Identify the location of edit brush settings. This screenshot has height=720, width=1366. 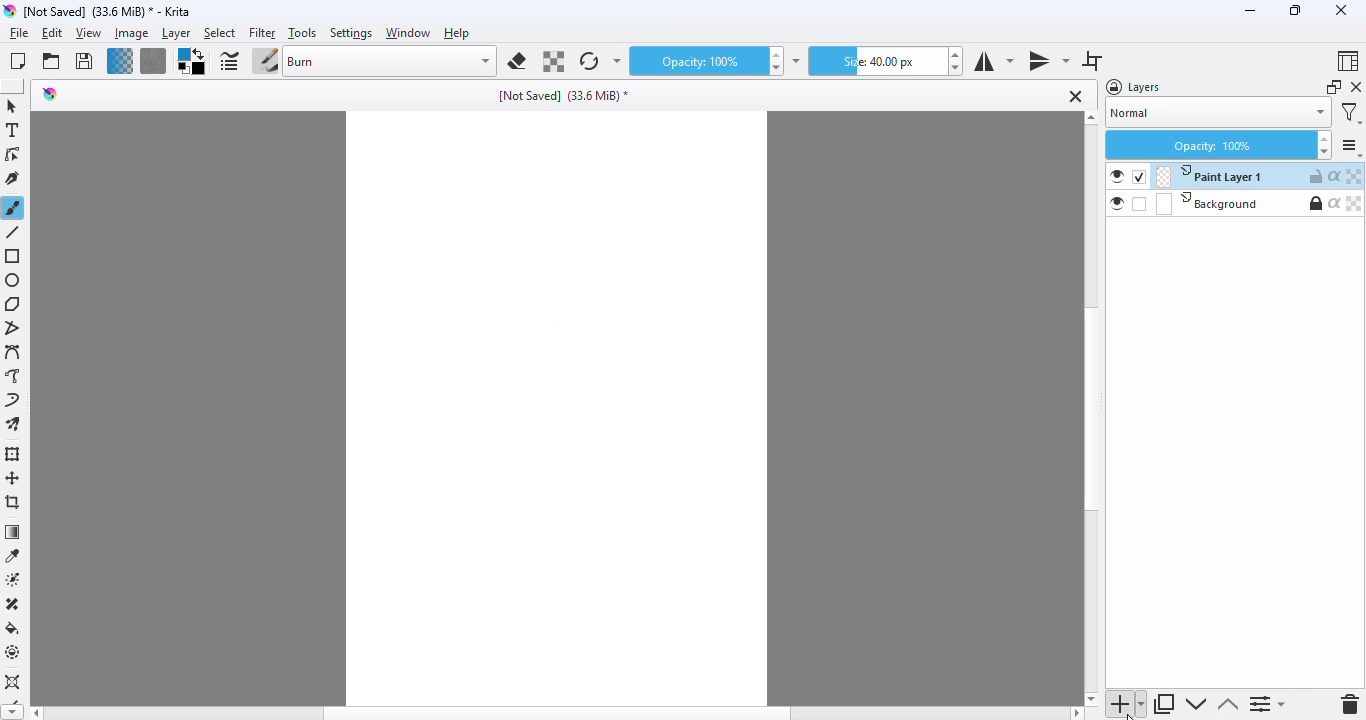
(229, 62).